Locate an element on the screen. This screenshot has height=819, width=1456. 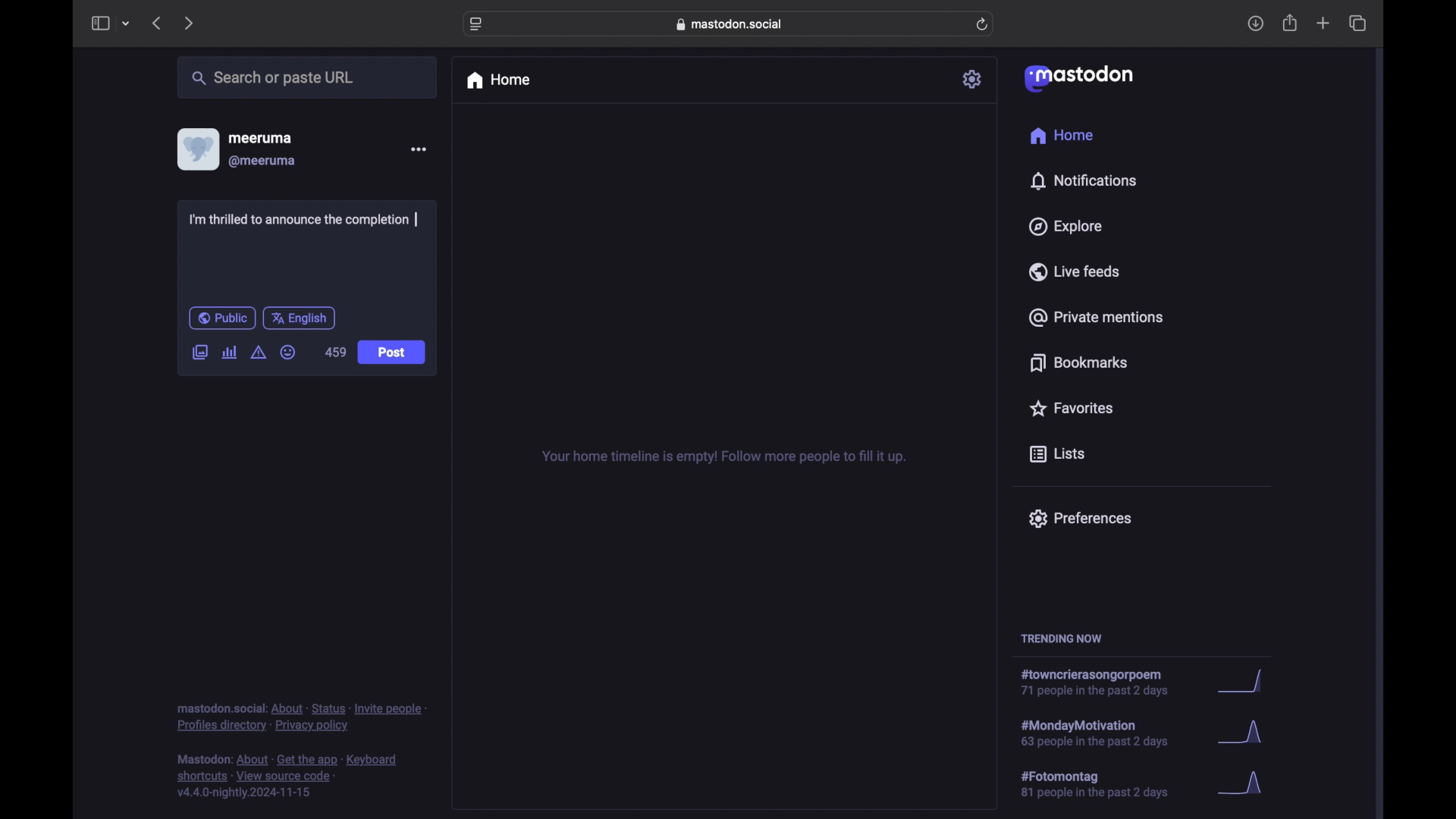
website settings is located at coordinates (476, 25).